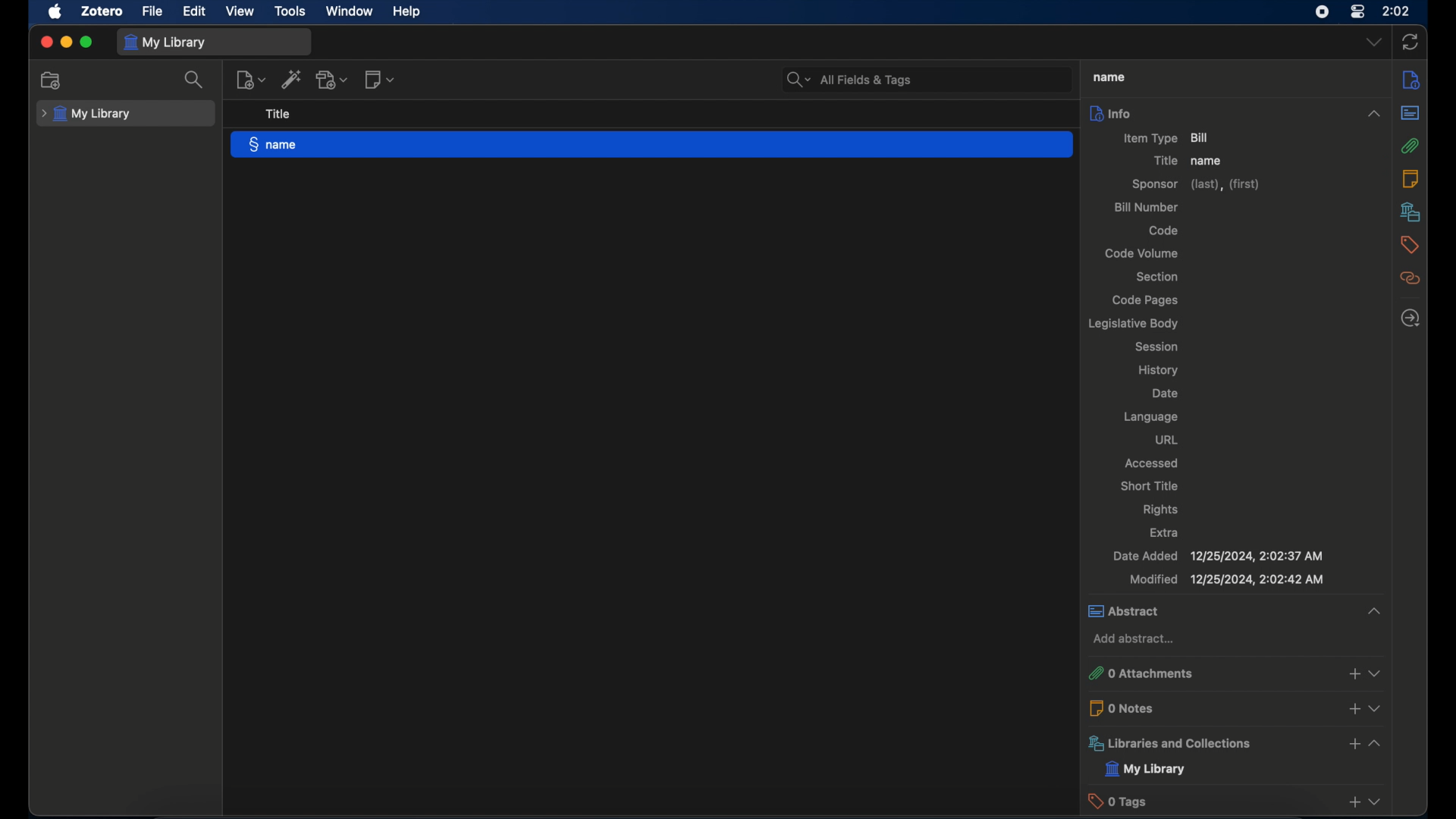 The height and width of the screenshot is (819, 1456). Describe the element at coordinates (1159, 369) in the screenshot. I see `history` at that location.